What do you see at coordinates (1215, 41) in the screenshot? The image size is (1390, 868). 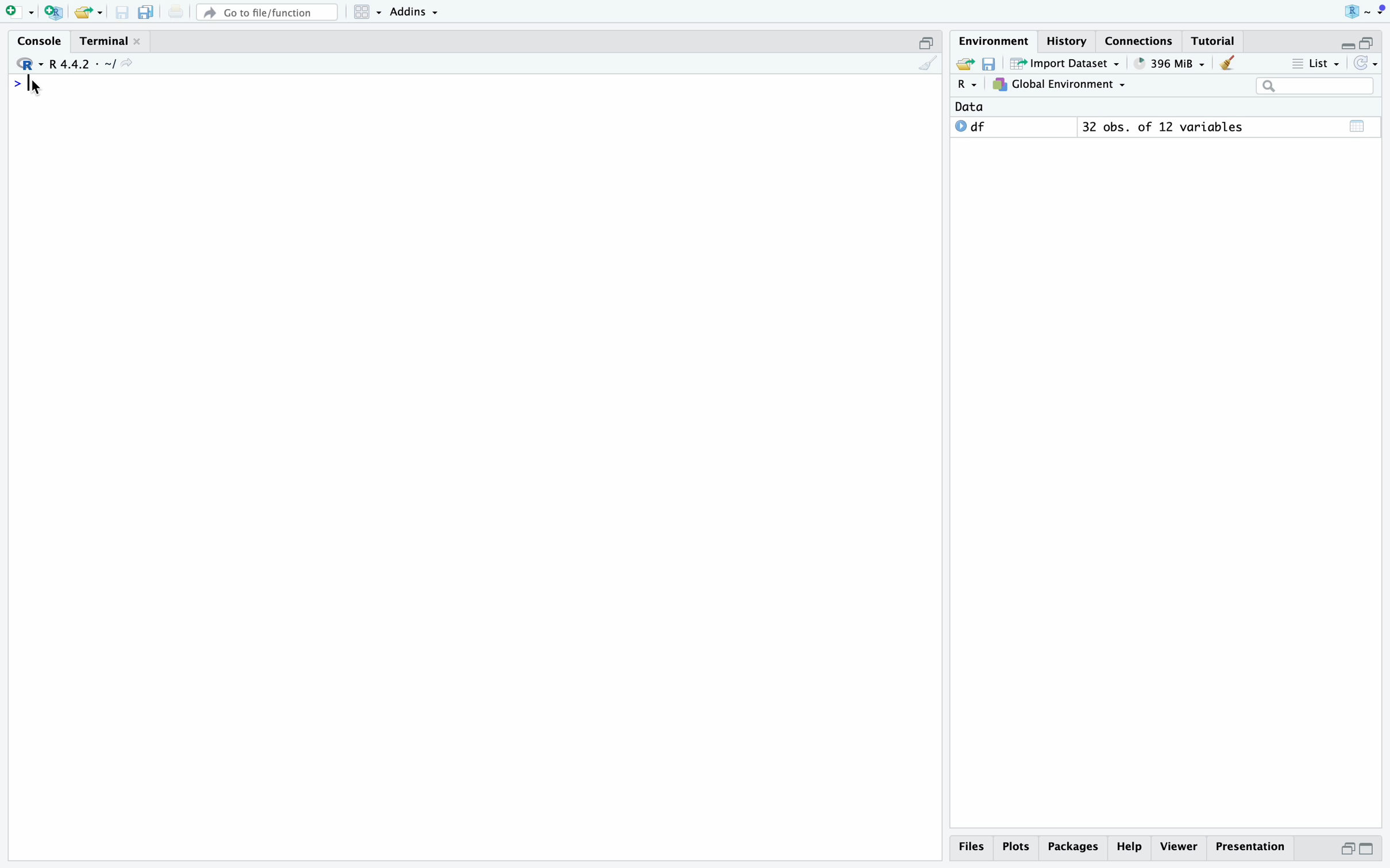 I see `tutorial` at bounding box center [1215, 41].